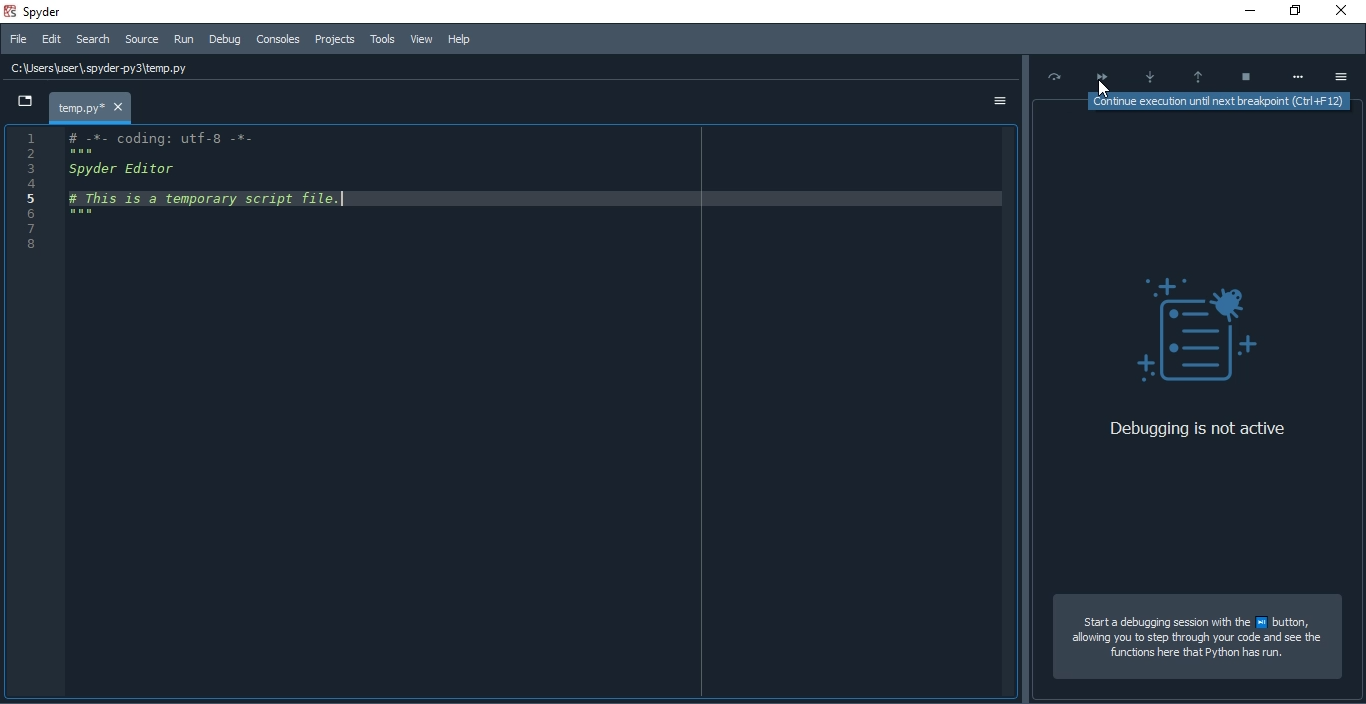 The height and width of the screenshot is (704, 1366). Describe the element at coordinates (1102, 88) in the screenshot. I see `cursor` at that location.